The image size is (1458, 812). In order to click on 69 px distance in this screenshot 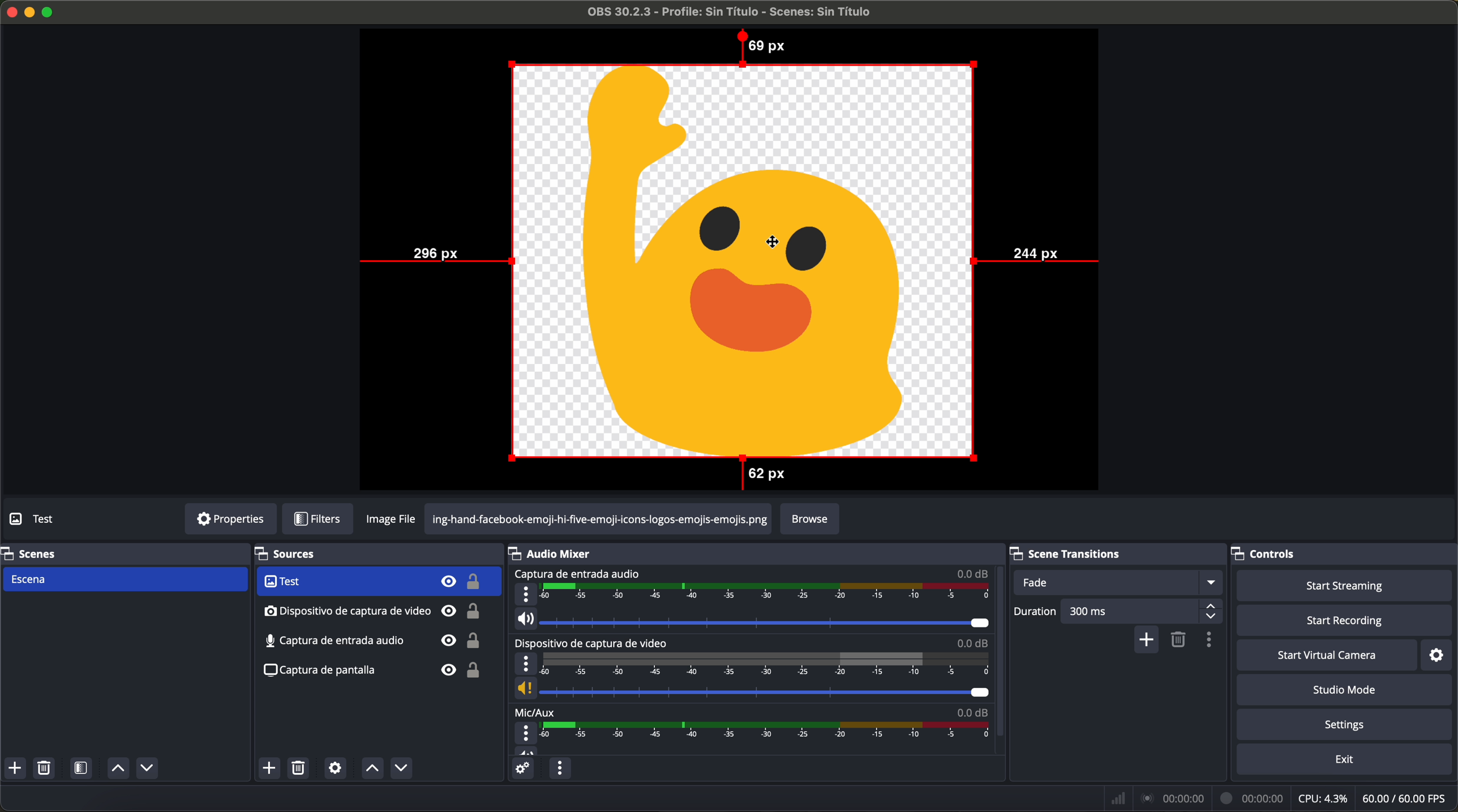, I will do `click(762, 45)`.